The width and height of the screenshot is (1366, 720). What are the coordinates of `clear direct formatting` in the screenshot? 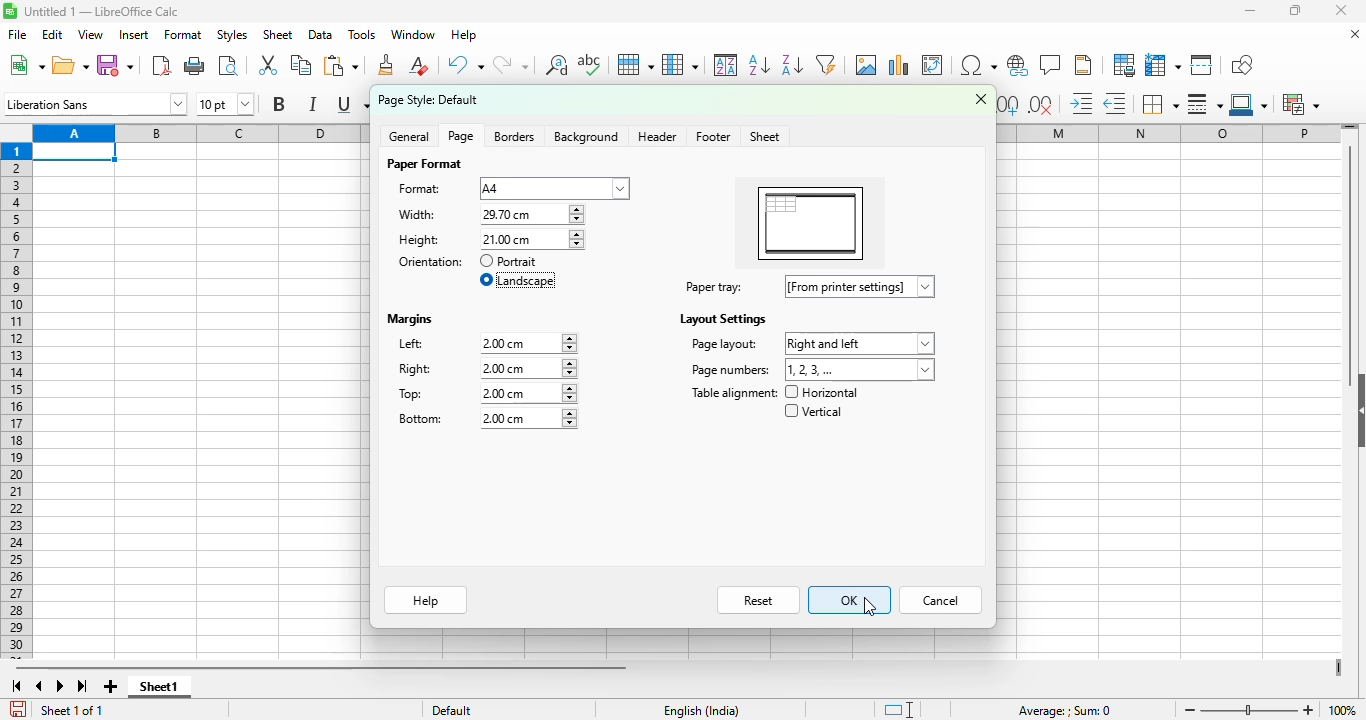 It's located at (419, 65).